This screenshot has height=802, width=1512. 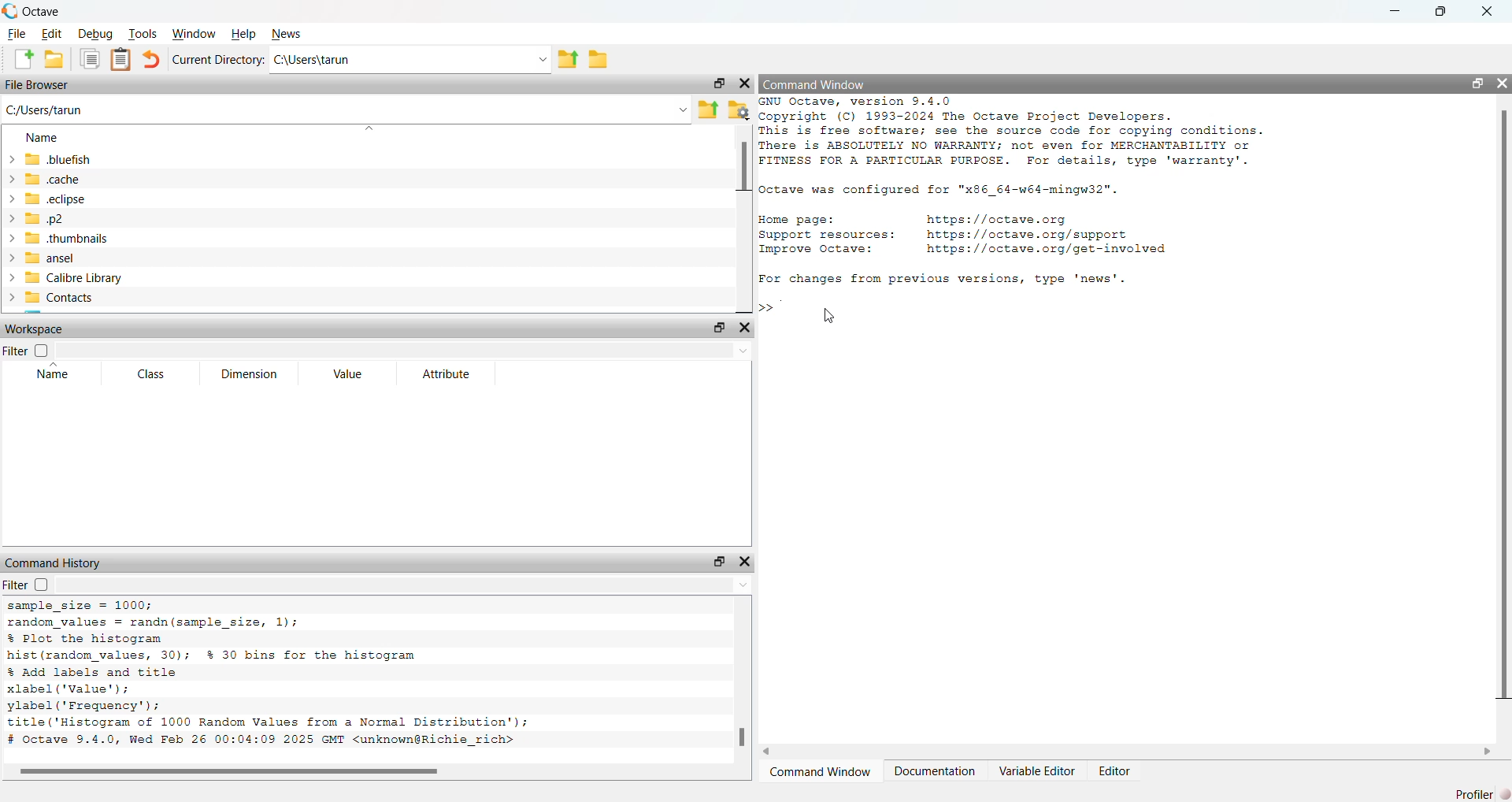 I want to click on Improve Octave:, so click(x=816, y=250).